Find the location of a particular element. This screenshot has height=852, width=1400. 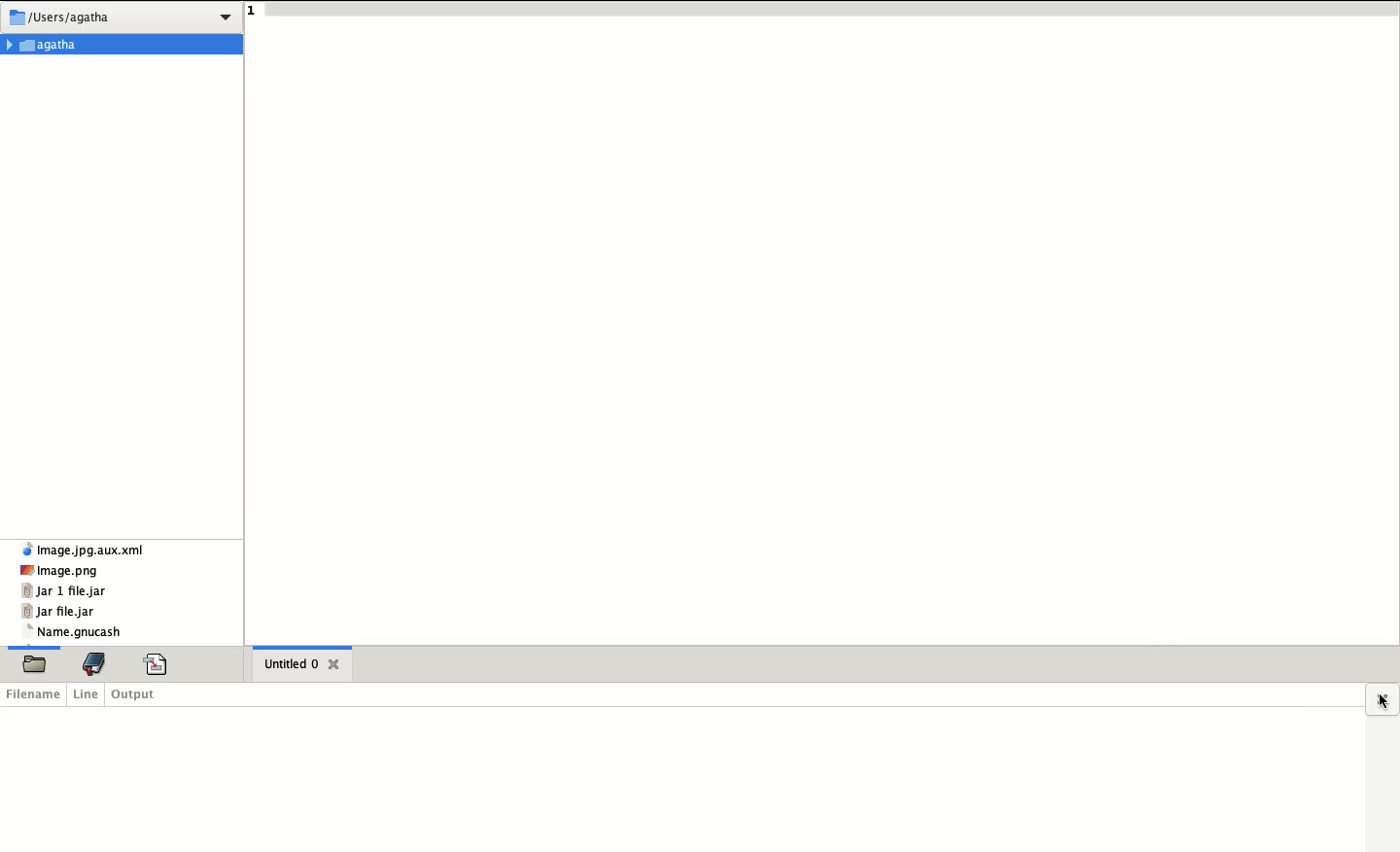

jar 1 file.jar is located at coordinates (66, 590).